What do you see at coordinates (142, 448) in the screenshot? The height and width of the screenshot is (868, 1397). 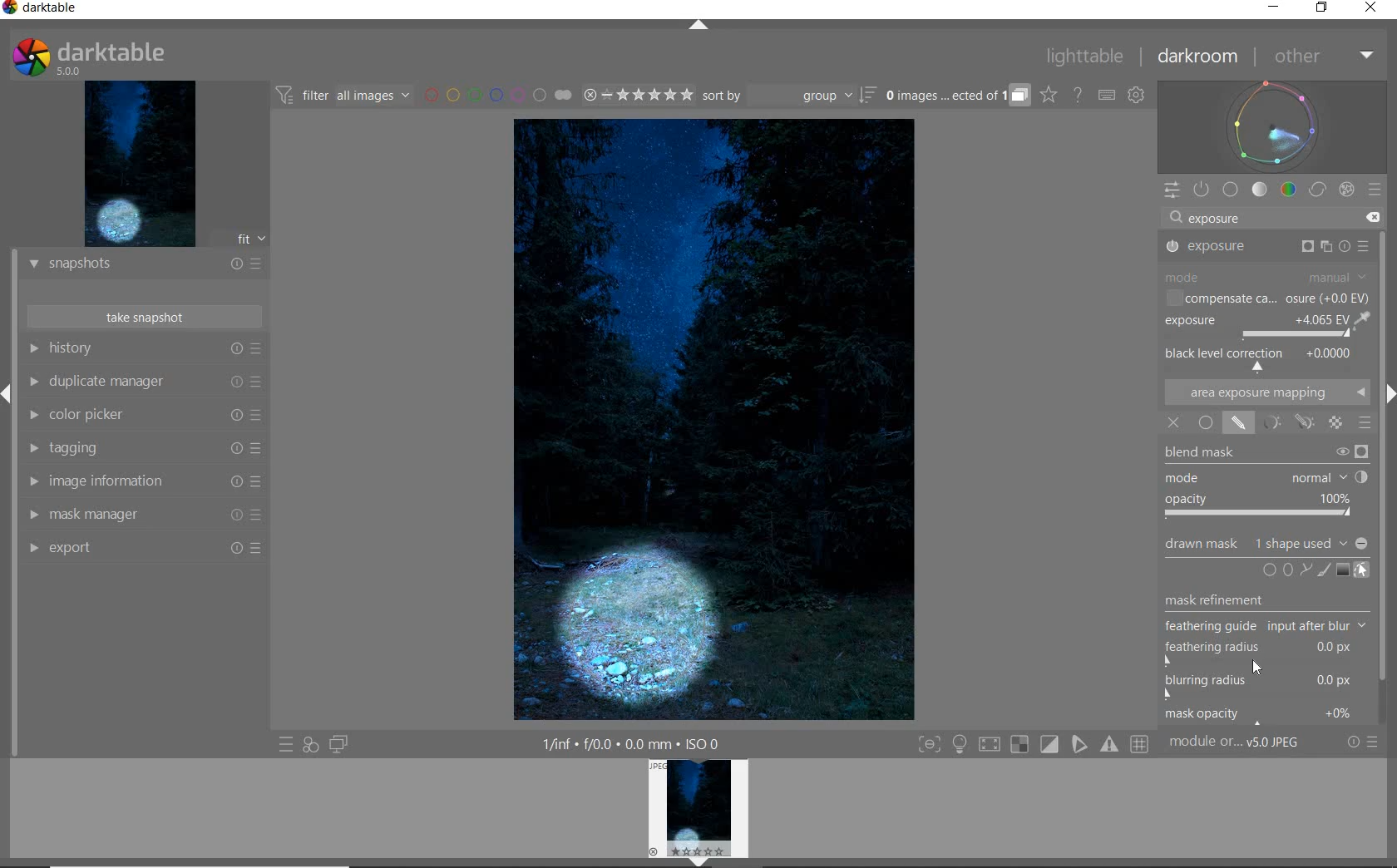 I see `TAGGING` at bounding box center [142, 448].